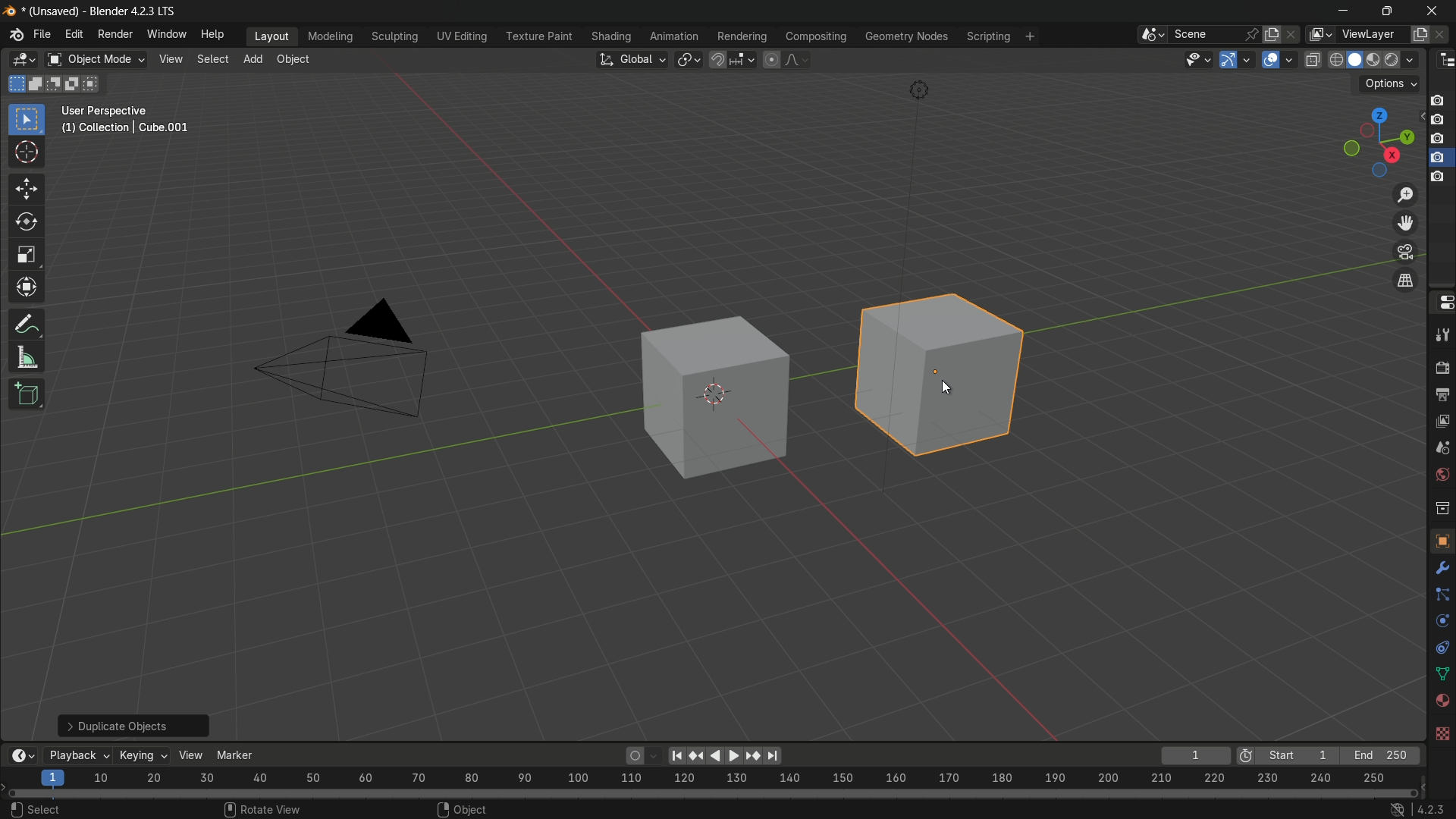 The image size is (1456, 819). Describe the element at coordinates (1249, 59) in the screenshot. I see `gizmos` at that location.